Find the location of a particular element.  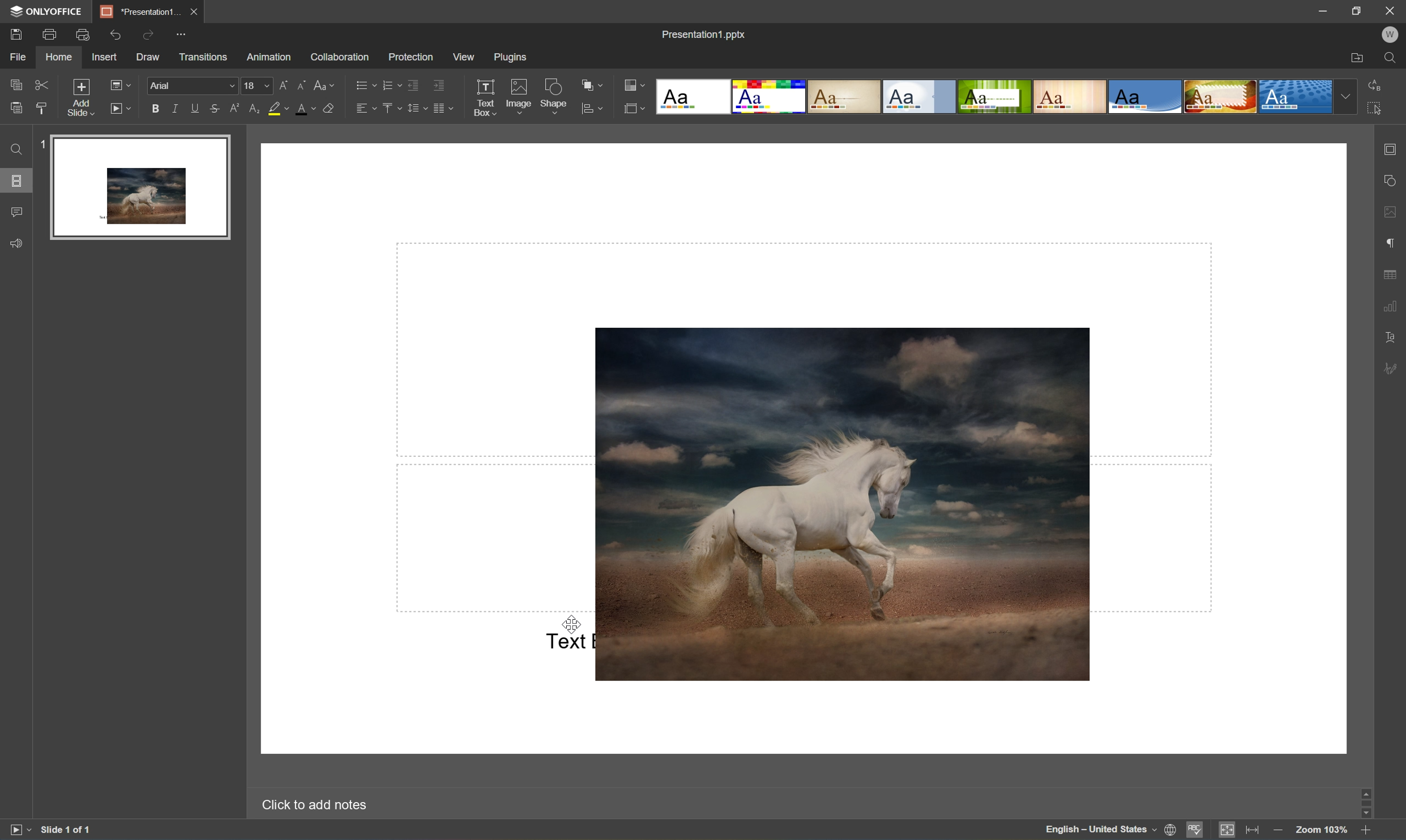

Print file is located at coordinates (50, 32).